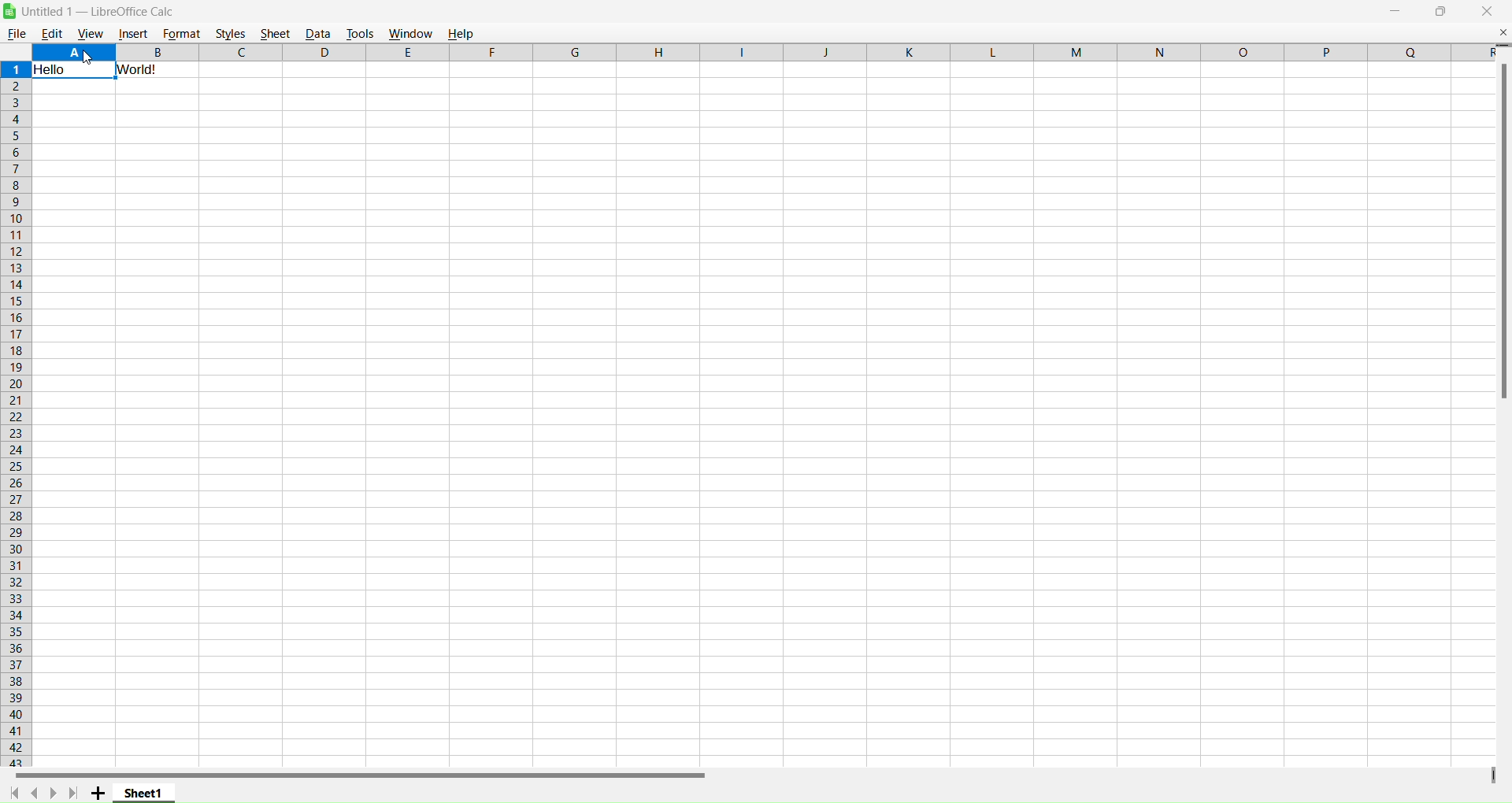  I want to click on Duplicate Sheet Area, so click(1492, 774).